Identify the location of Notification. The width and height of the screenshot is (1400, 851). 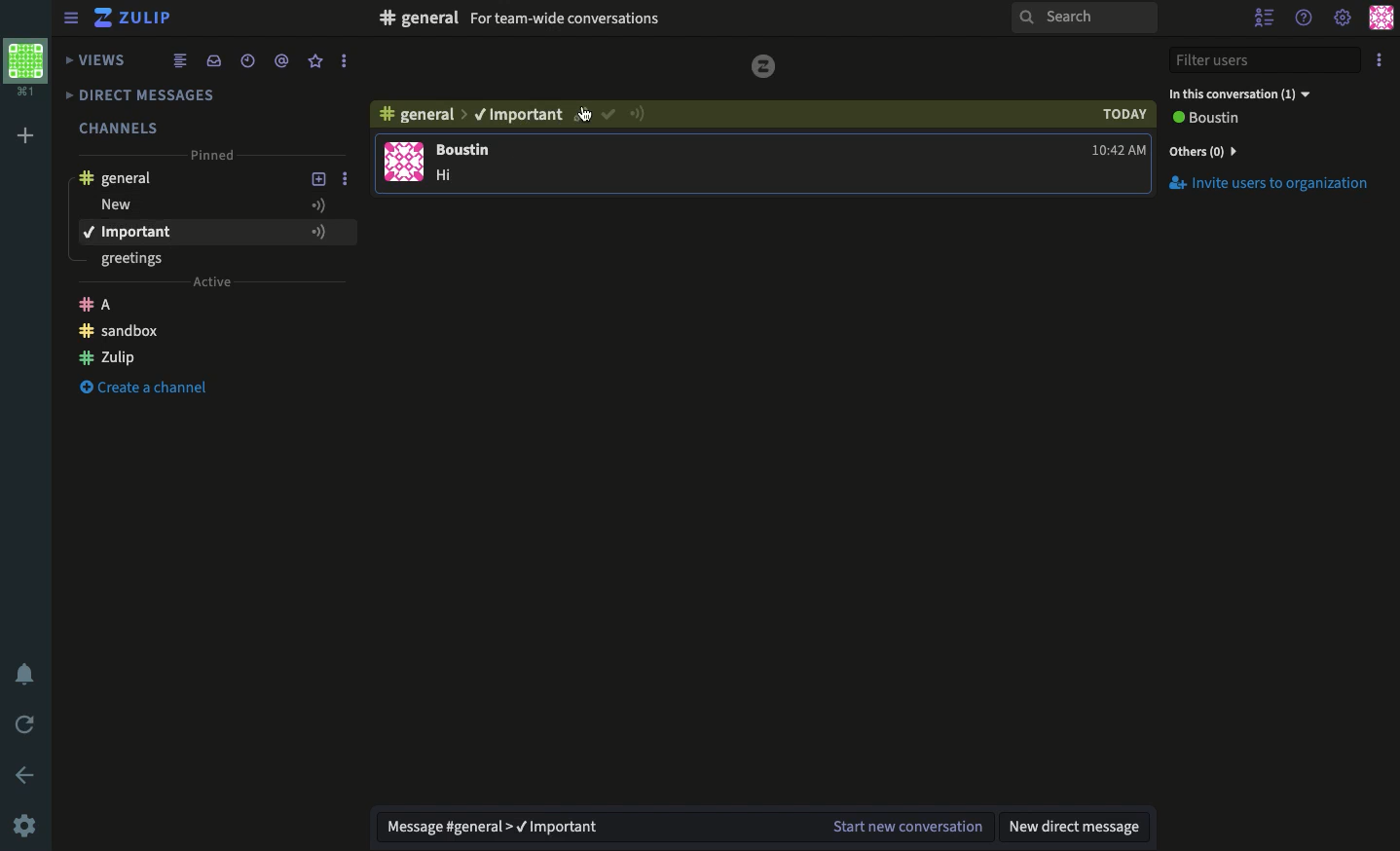
(23, 672).